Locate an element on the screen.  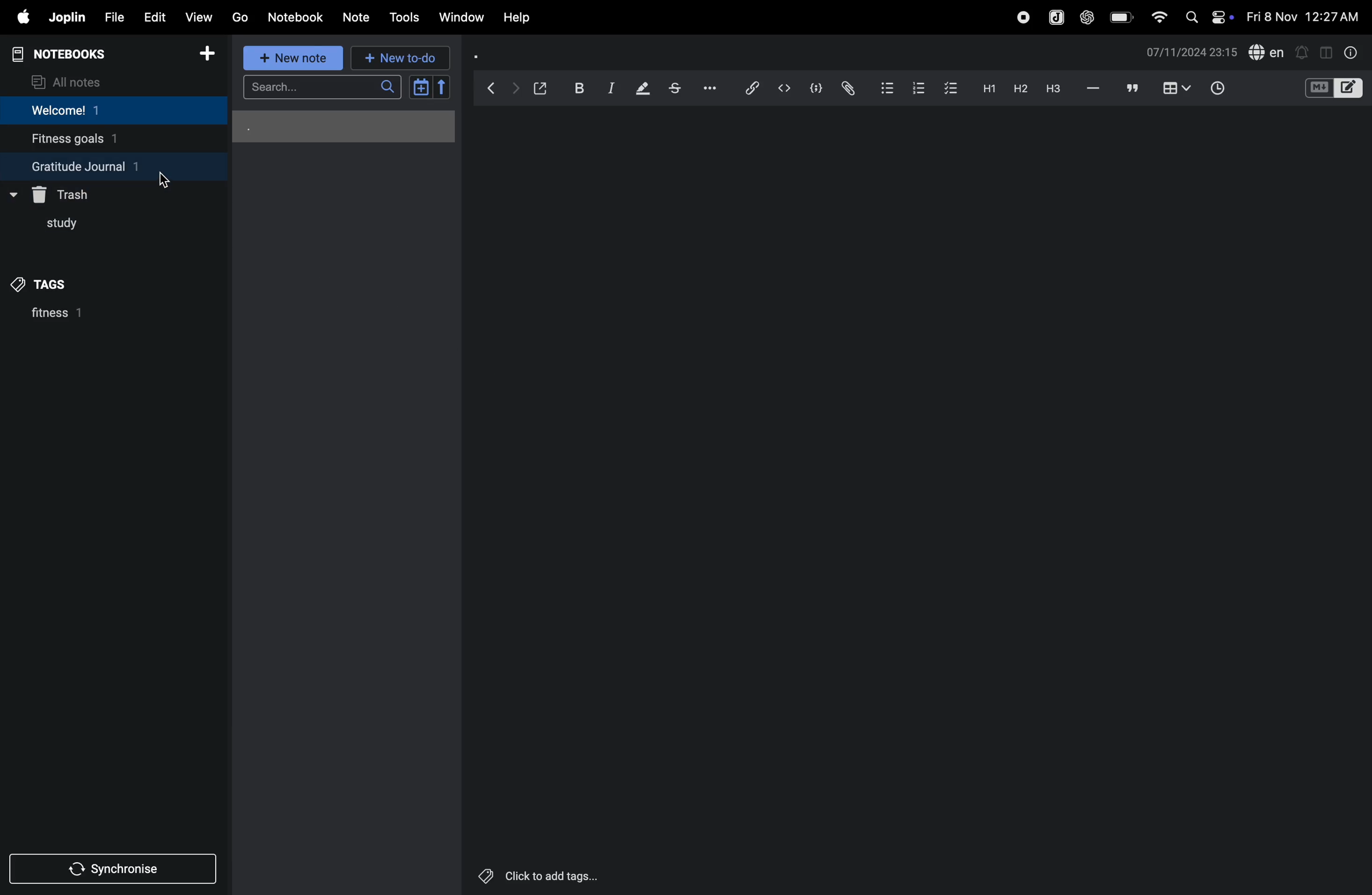
gratitude journals 1 is located at coordinates (103, 166).